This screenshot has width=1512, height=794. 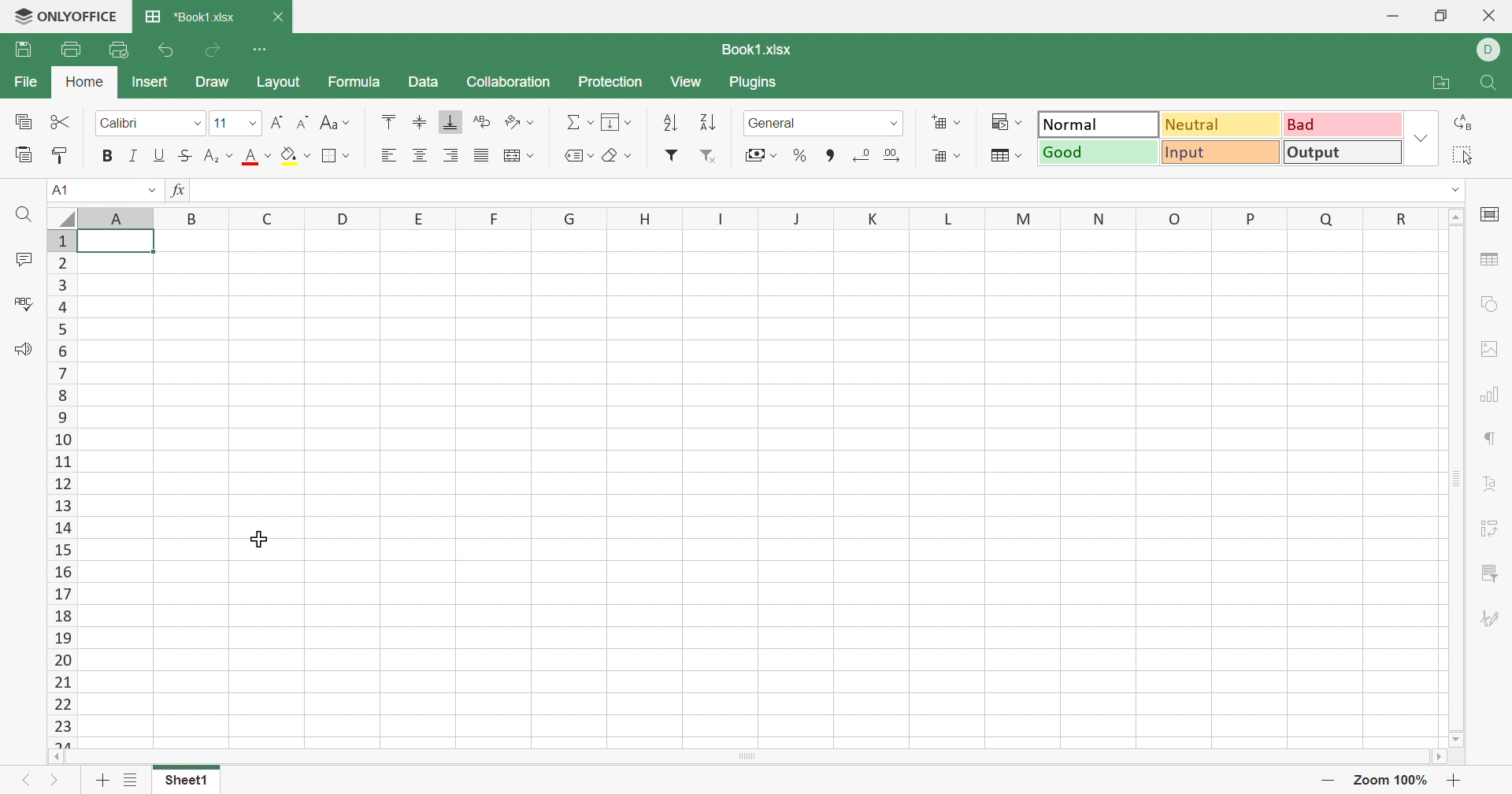 I want to click on Align Middle, so click(x=421, y=120).